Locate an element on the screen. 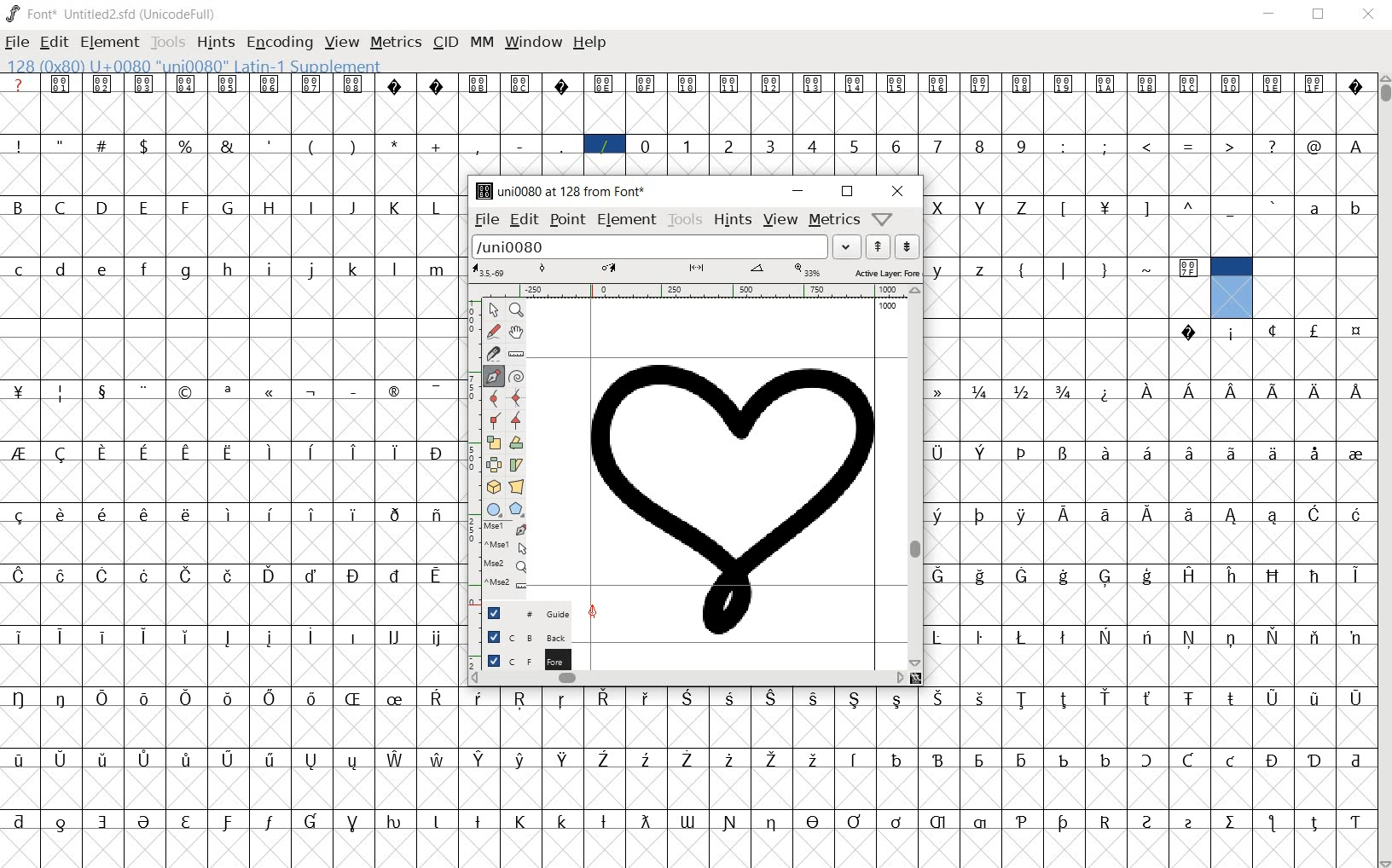  glyph is located at coordinates (101, 698).